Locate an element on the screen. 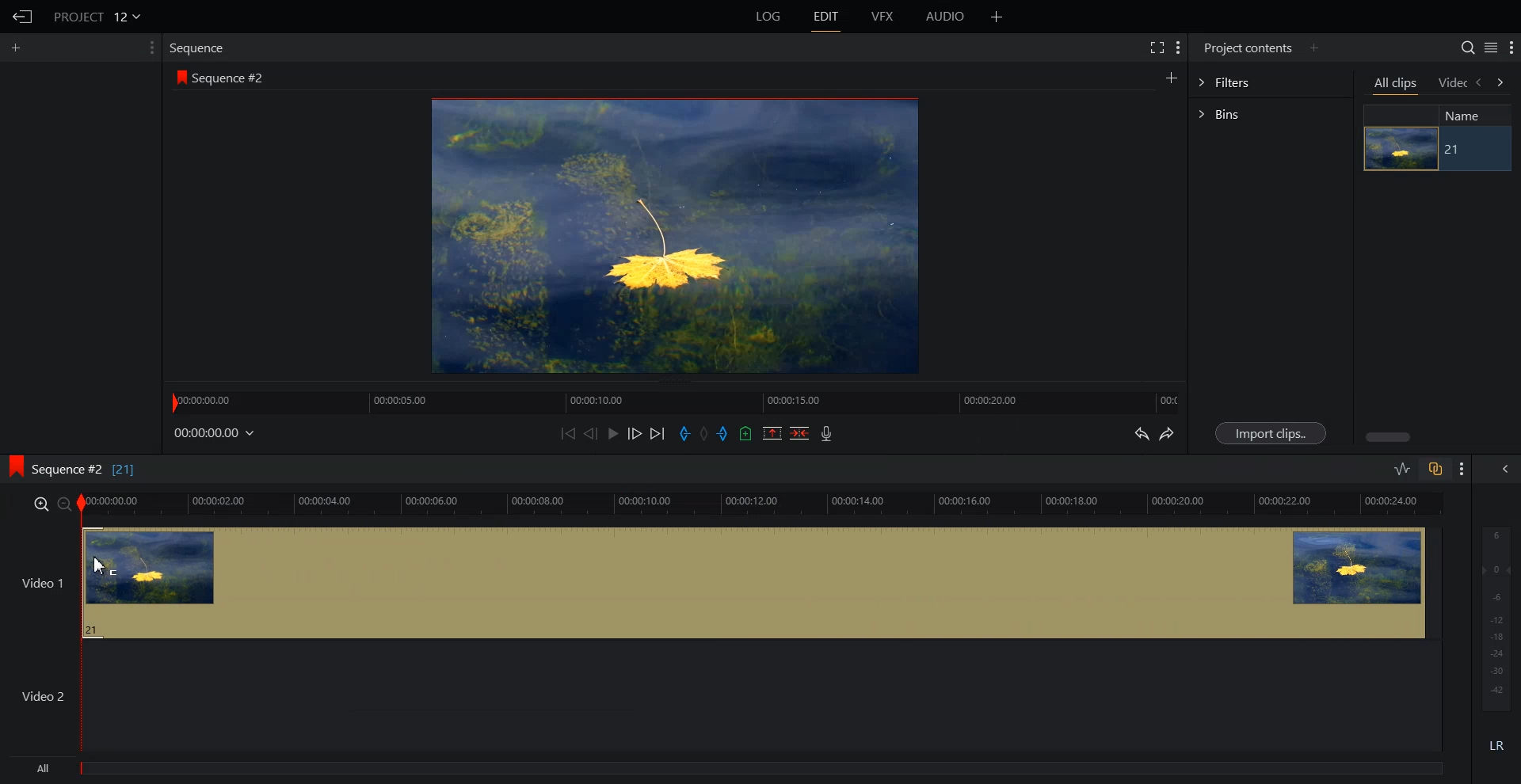 The image size is (1521, 784). Slider is located at coordinates (676, 401).